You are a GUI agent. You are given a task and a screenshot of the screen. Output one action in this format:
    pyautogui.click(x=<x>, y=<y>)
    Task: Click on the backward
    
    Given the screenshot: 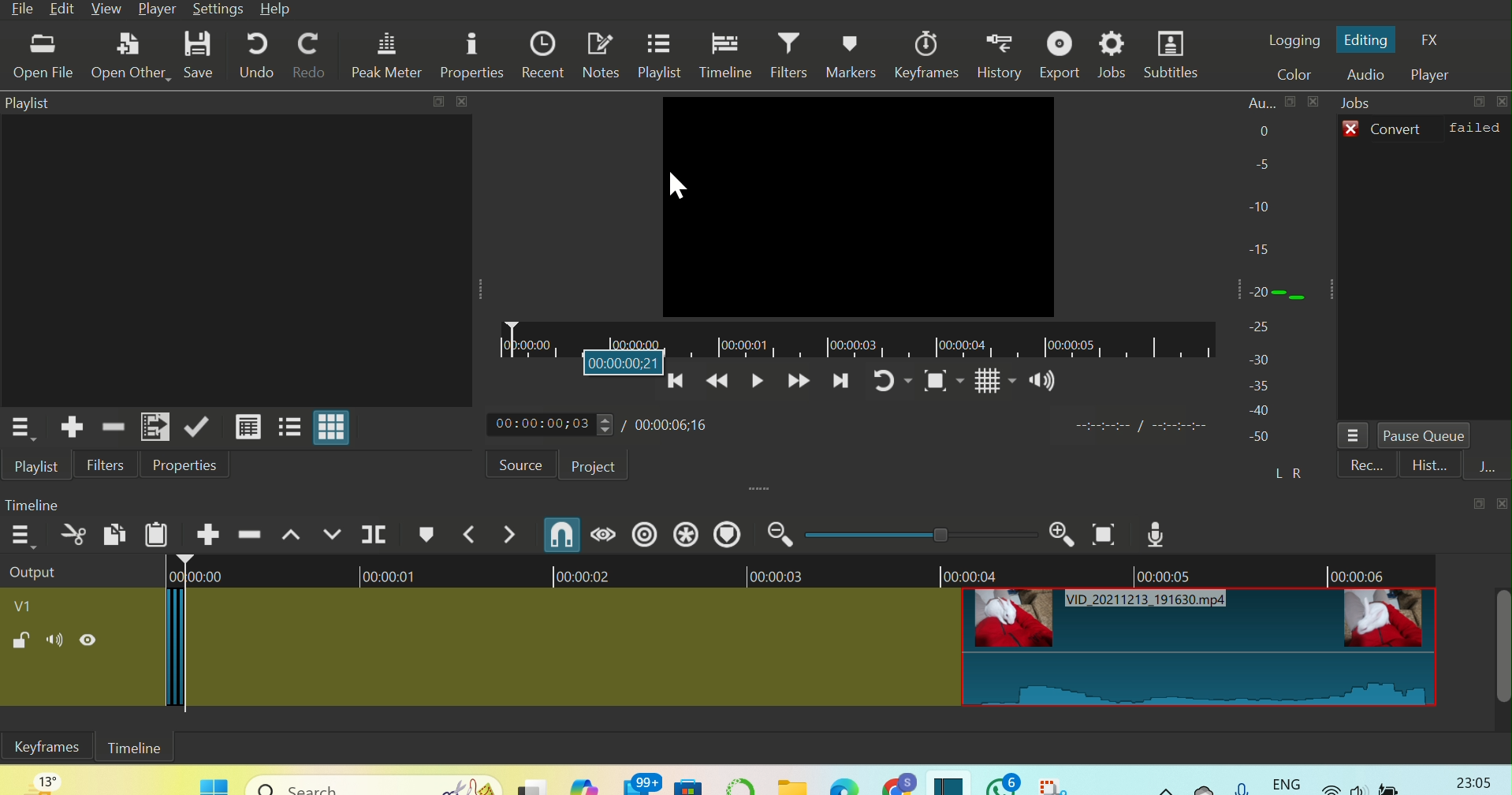 What is the action you would take?
    pyautogui.click(x=713, y=385)
    